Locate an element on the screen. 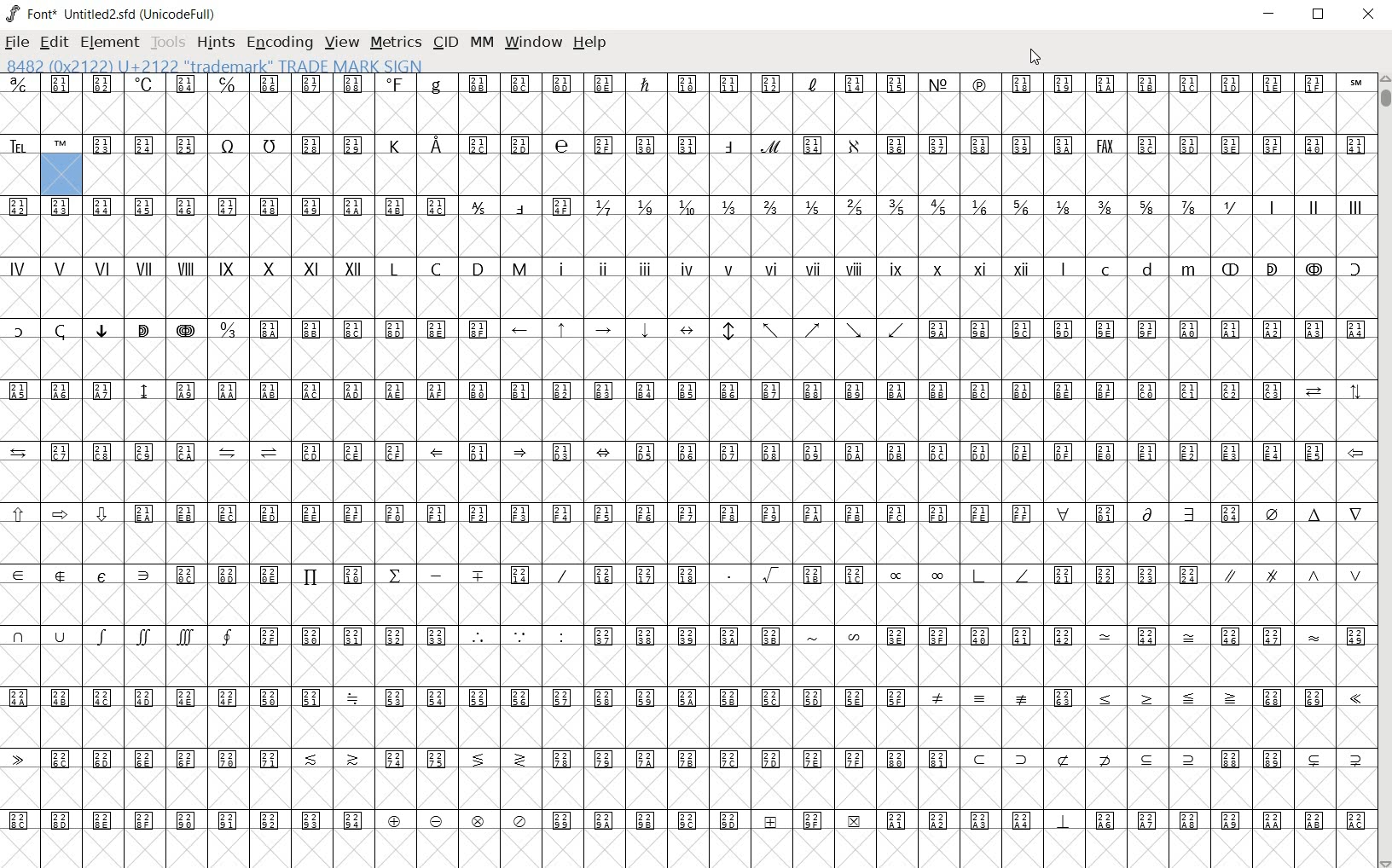  METRICS is located at coordinates (395, 44).